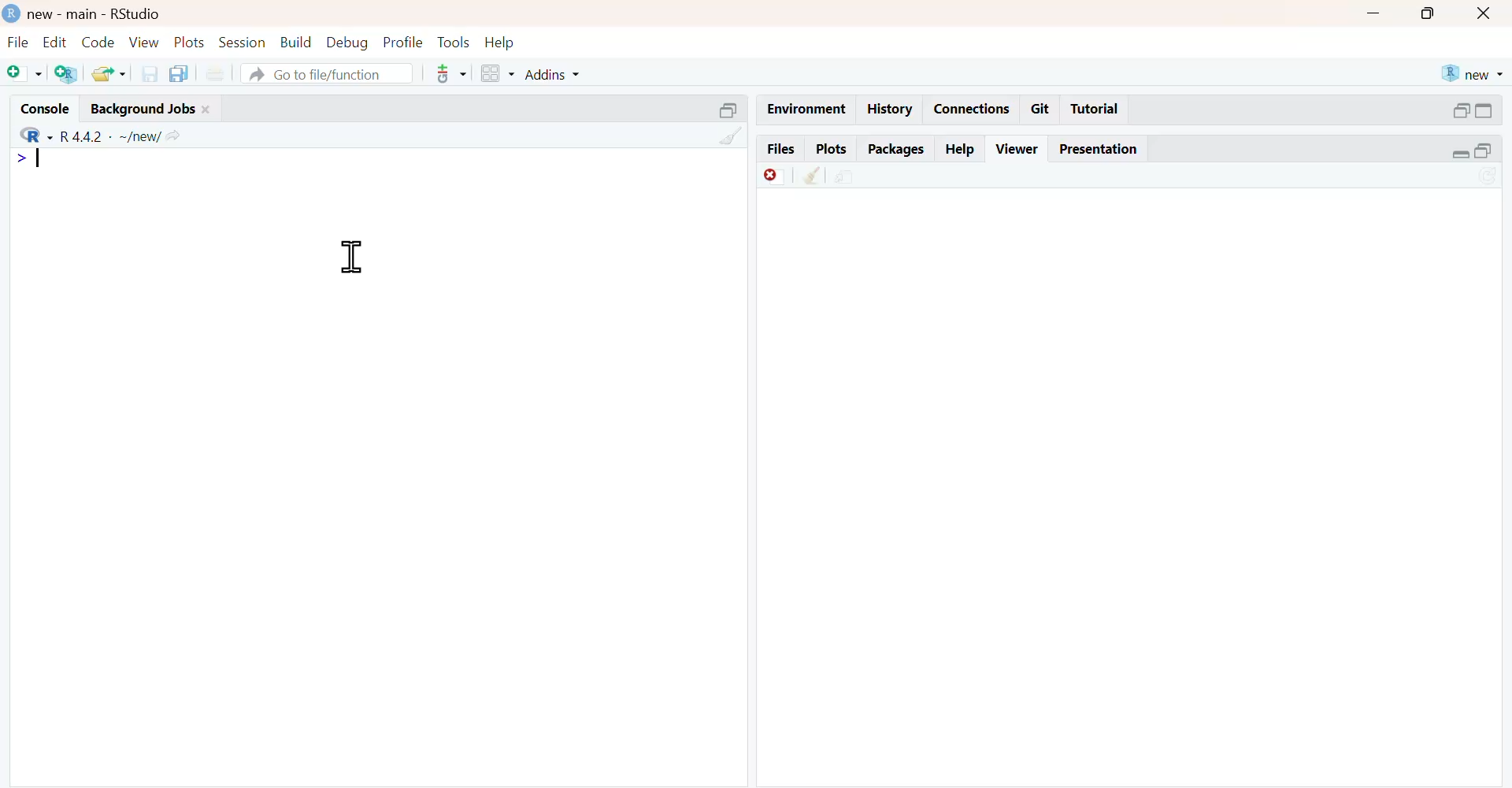 The image size is (1512, 788). What do you see at coordinates (1484, 151) in the screenshot?
I see `open in separate window` at bounding box center [1484, 151].